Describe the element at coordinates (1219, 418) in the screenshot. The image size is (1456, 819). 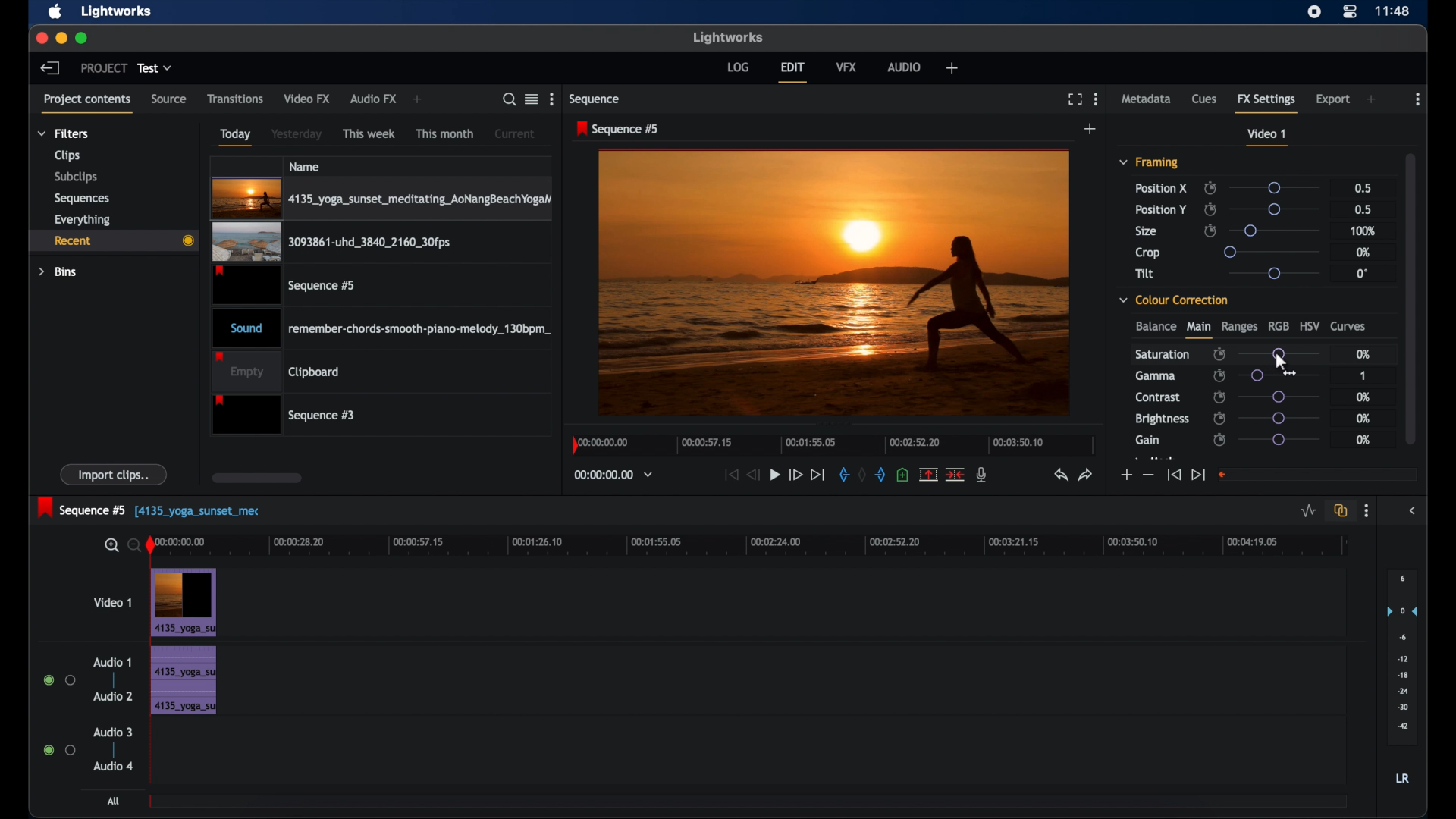
I see `enable/disable keyframes` at that location.